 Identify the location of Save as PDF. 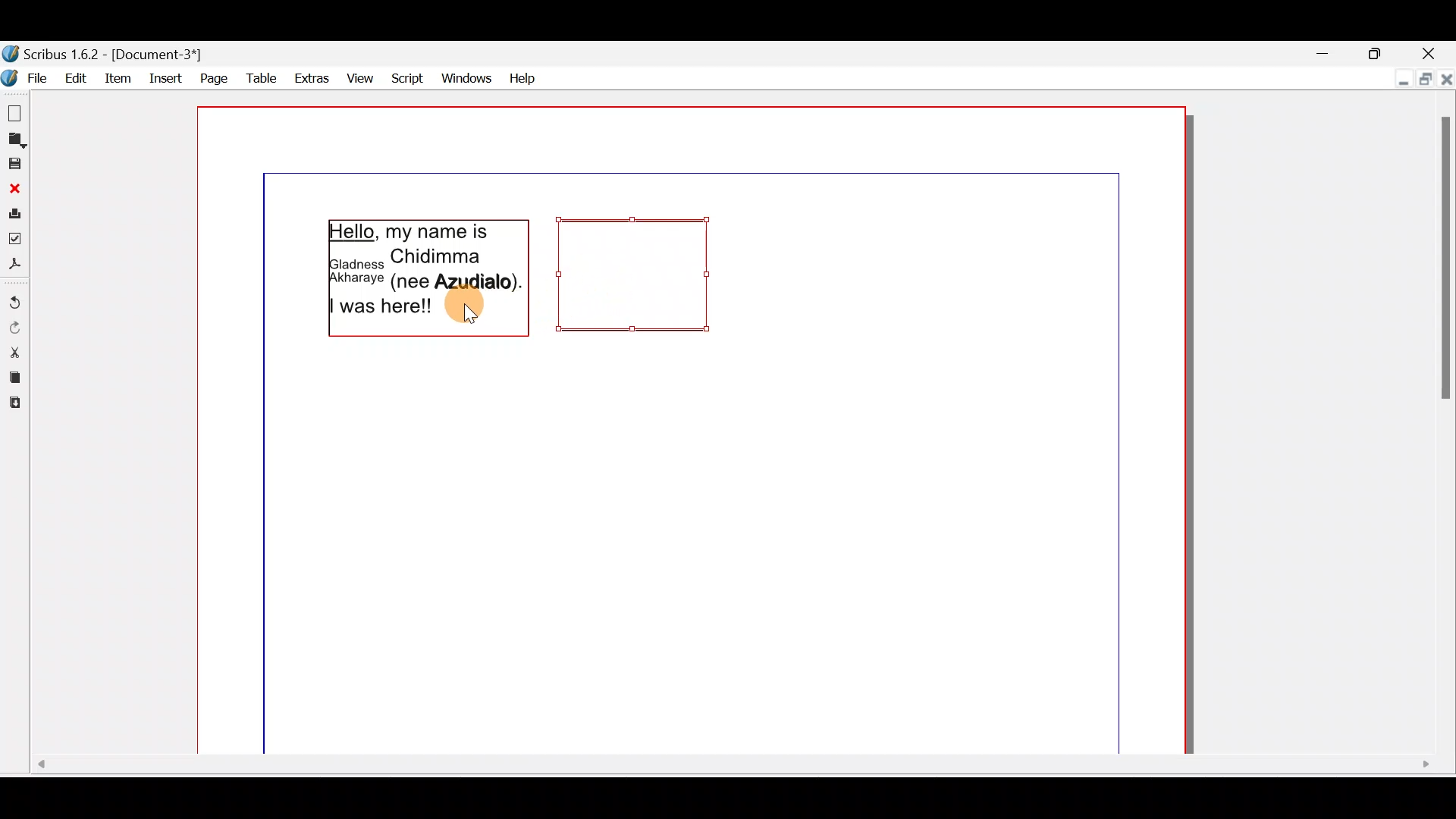
(15, 265).